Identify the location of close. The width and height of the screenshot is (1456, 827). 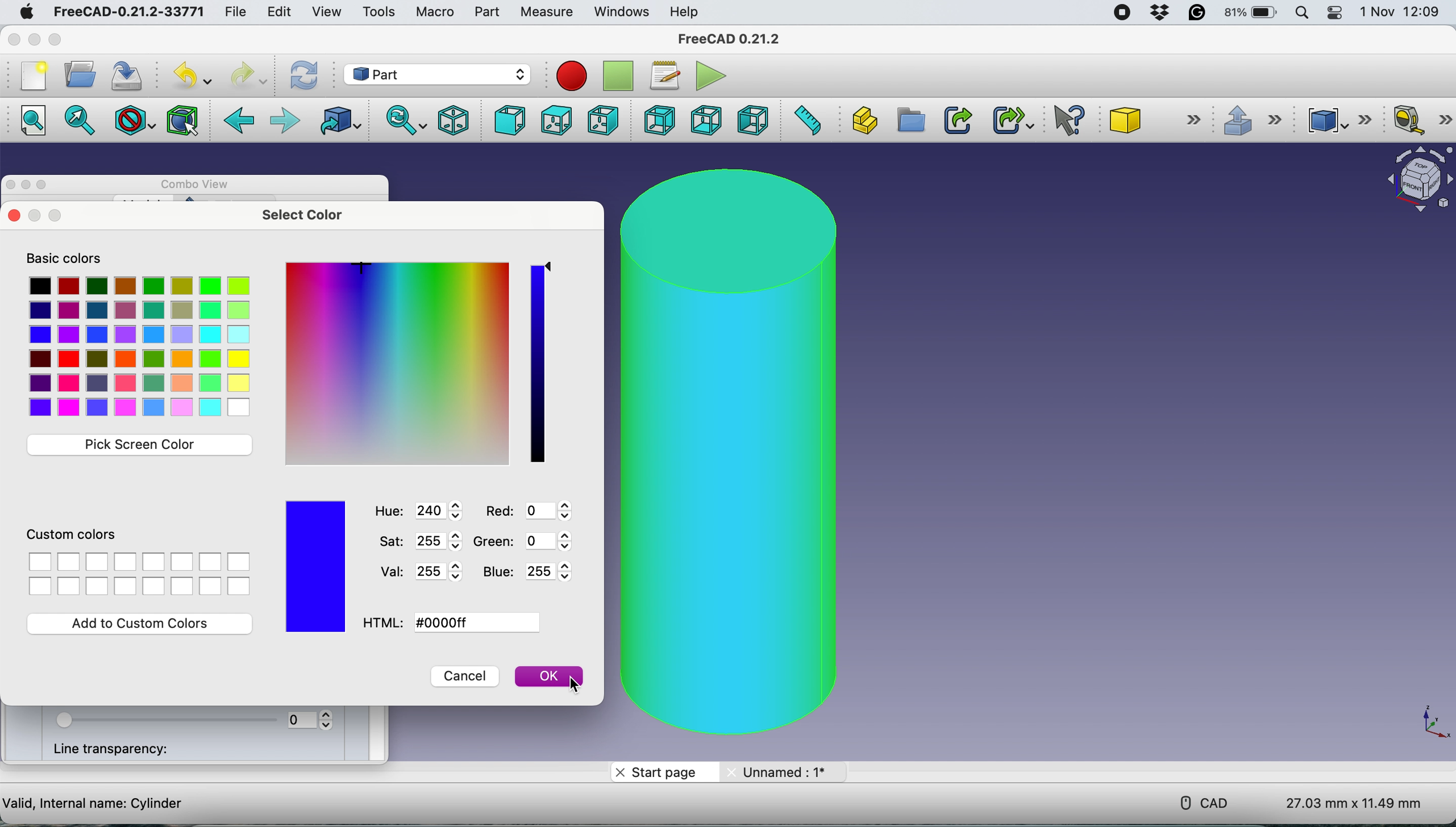
(14, 39).